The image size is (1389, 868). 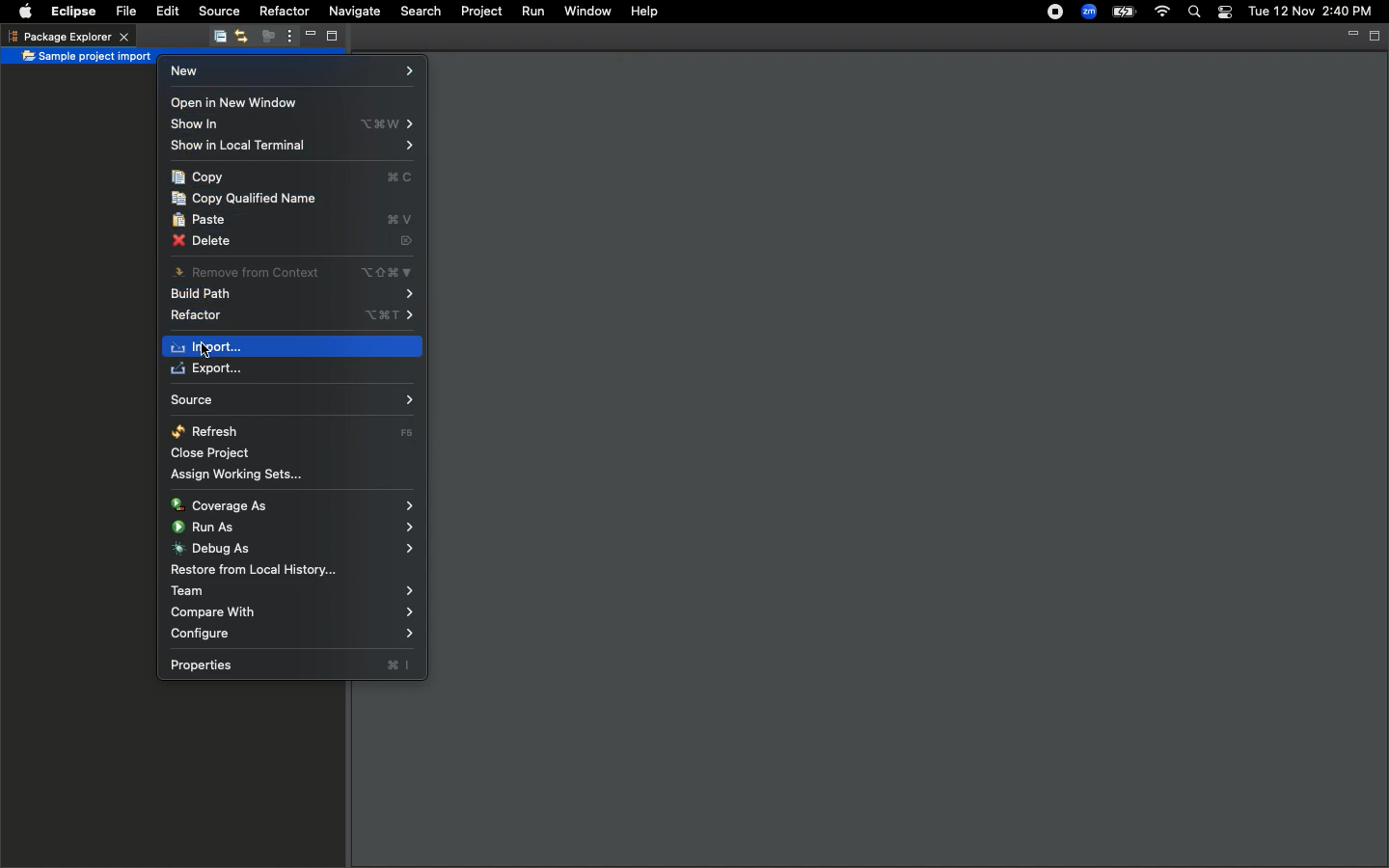 What do you see at coordinates (262, 38) in the screenshot?
I see `Focus on active task` at bounding box center [262, 38].